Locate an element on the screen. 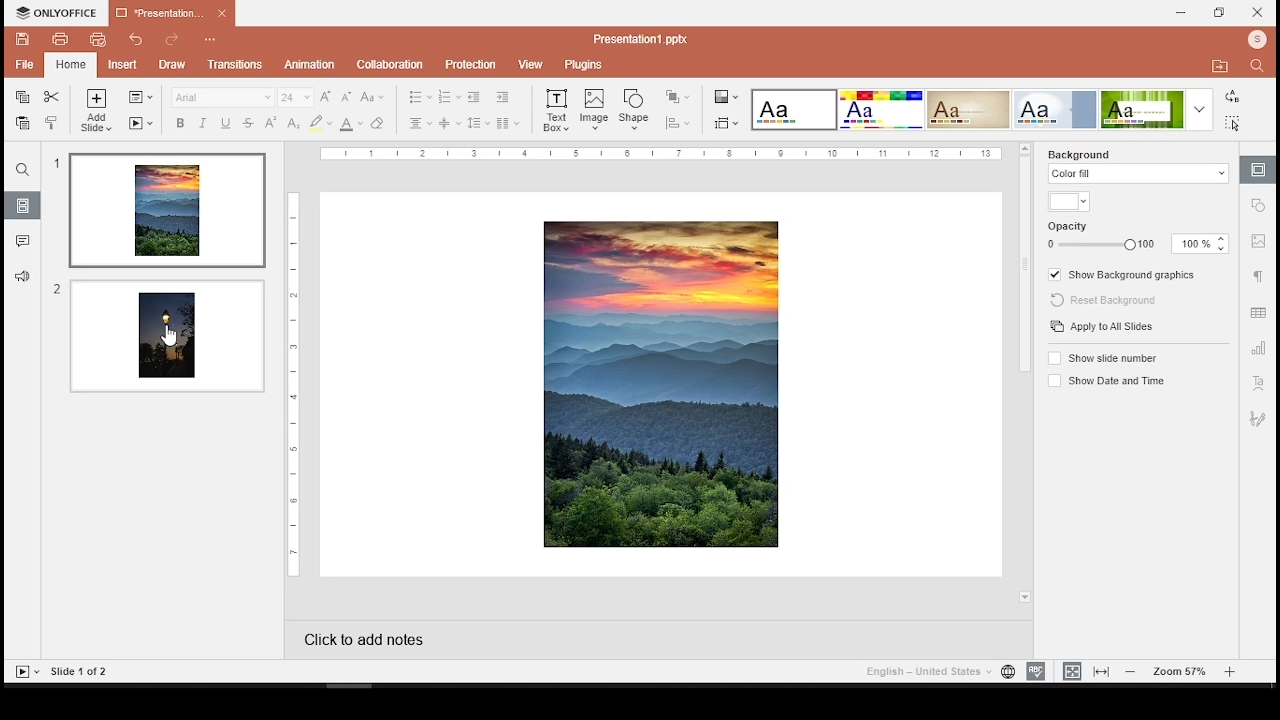 This screenshot has width=1280, height=720. paragraph settings is located at coordinates (1260, 276).